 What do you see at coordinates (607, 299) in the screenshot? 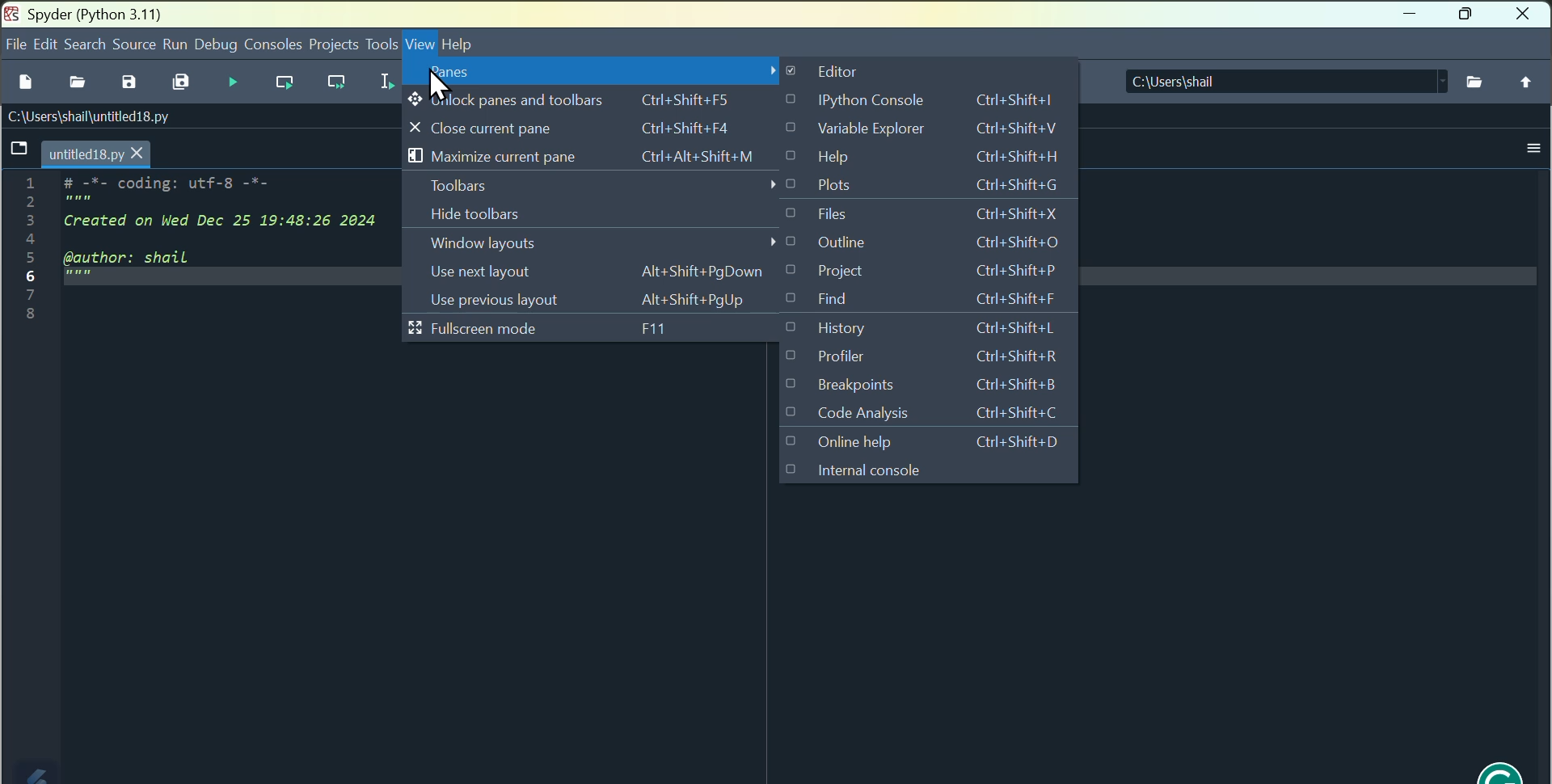
I see `Use previous layout` at bounding box center [607, 299].